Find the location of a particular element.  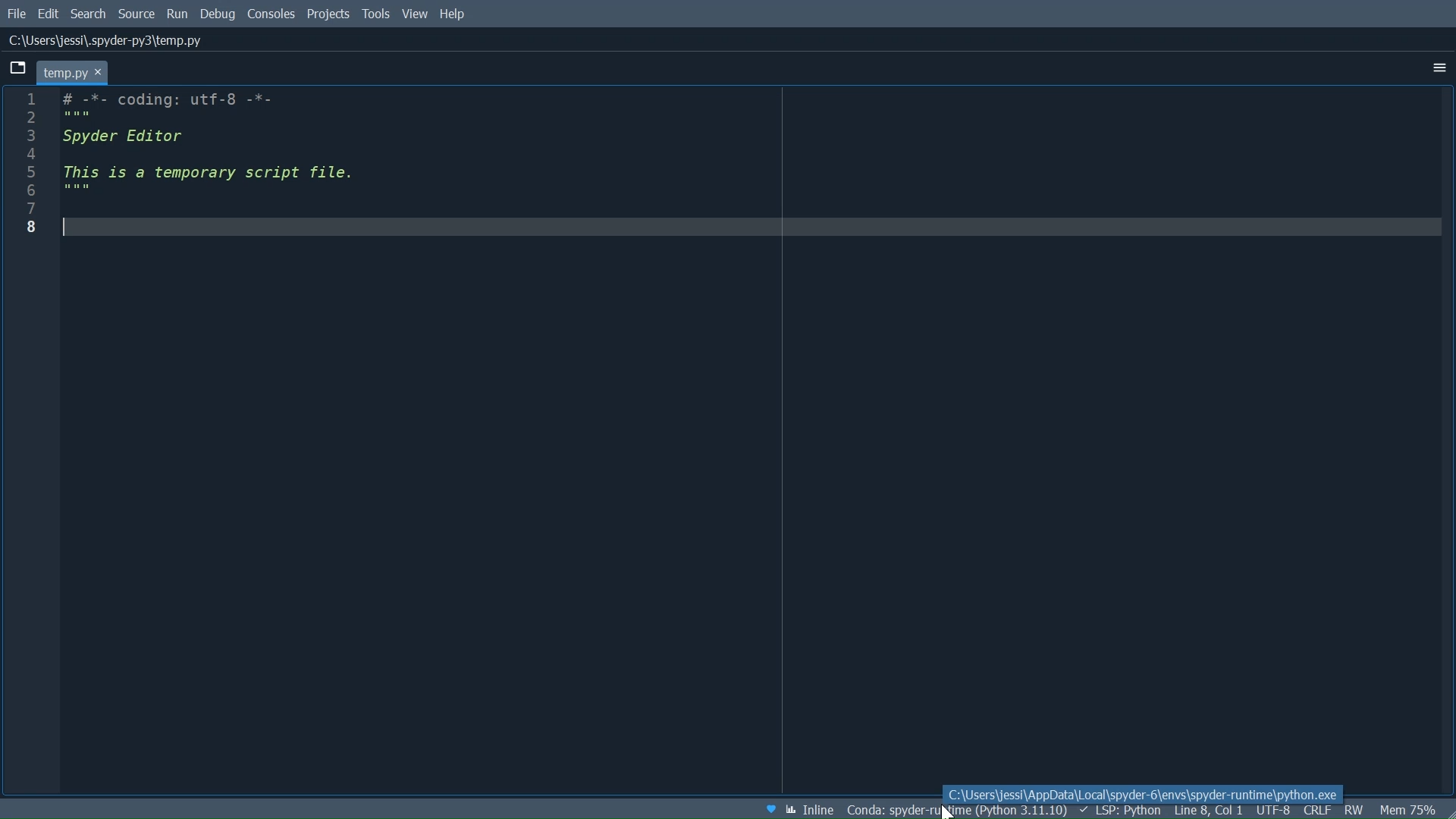

LSP: Python is located at coordinates (1122, 812).